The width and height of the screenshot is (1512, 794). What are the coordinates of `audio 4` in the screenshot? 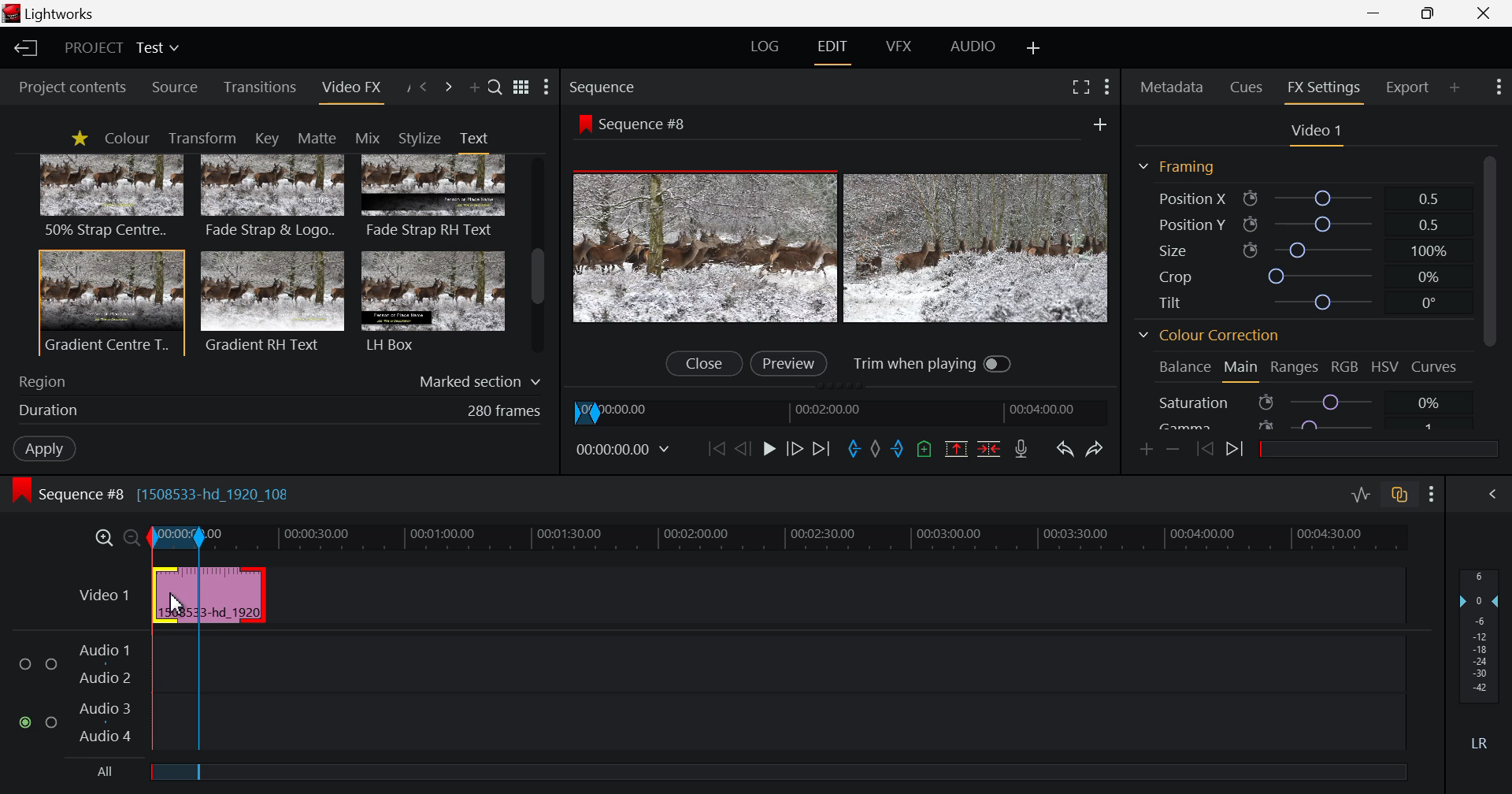 It's located at (104, 738).